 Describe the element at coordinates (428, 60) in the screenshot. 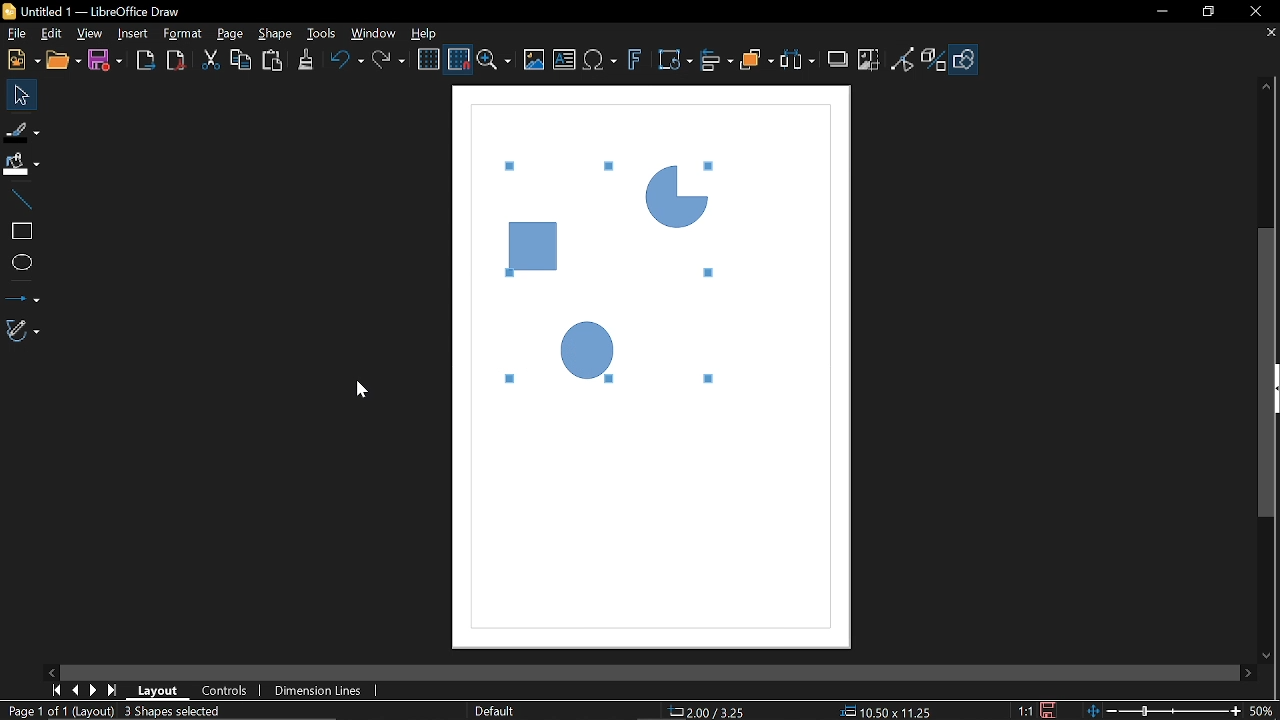

I see `Display grid` at that location.